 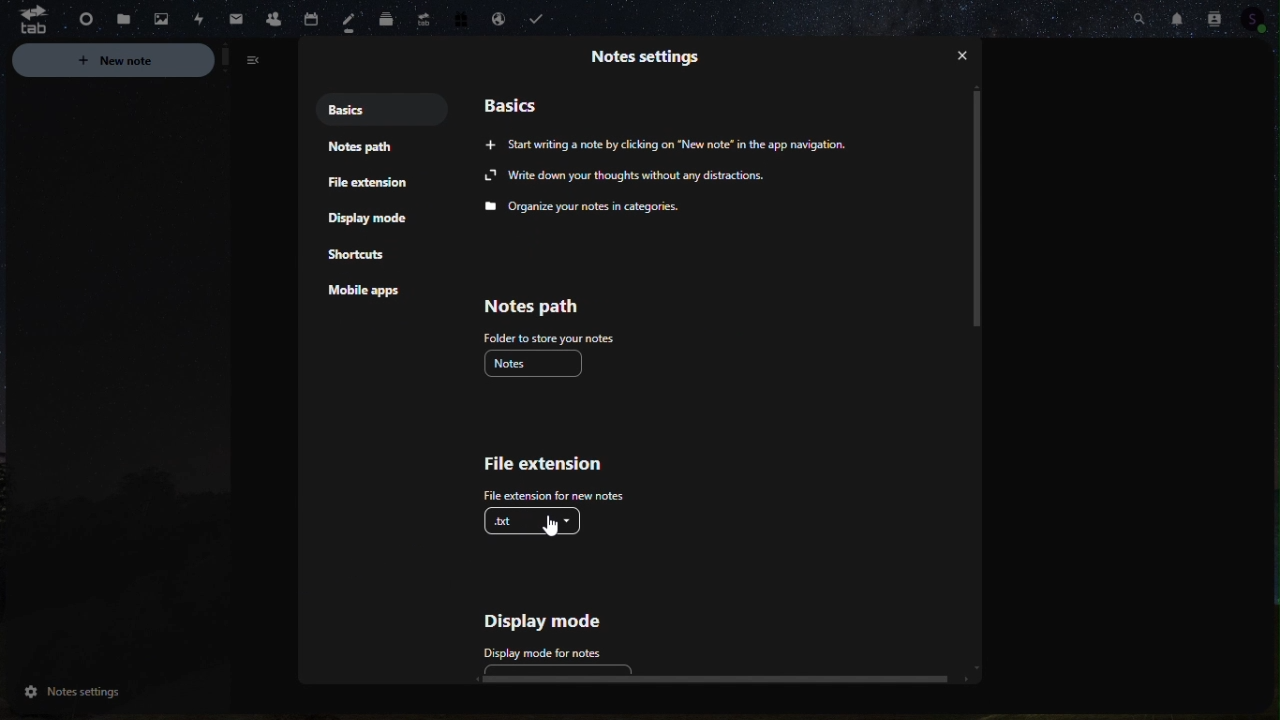 I want to click on vertical scroll bar, so click(x=978, y=210).